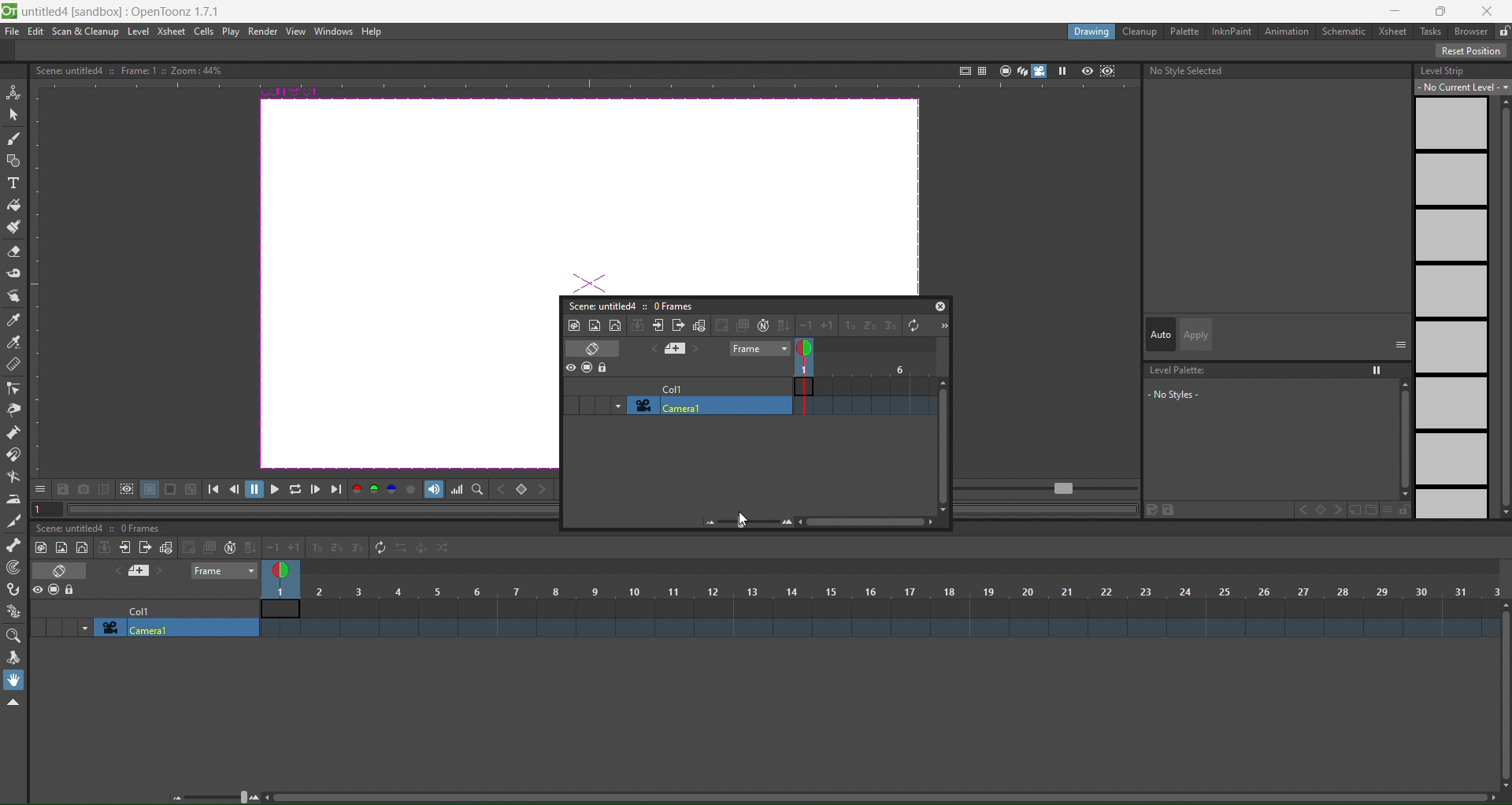 This screenshot has height=805, width=1512. Describe the element at coordinates (13, 206) in the screenshot. I see `fill tool` at that location.